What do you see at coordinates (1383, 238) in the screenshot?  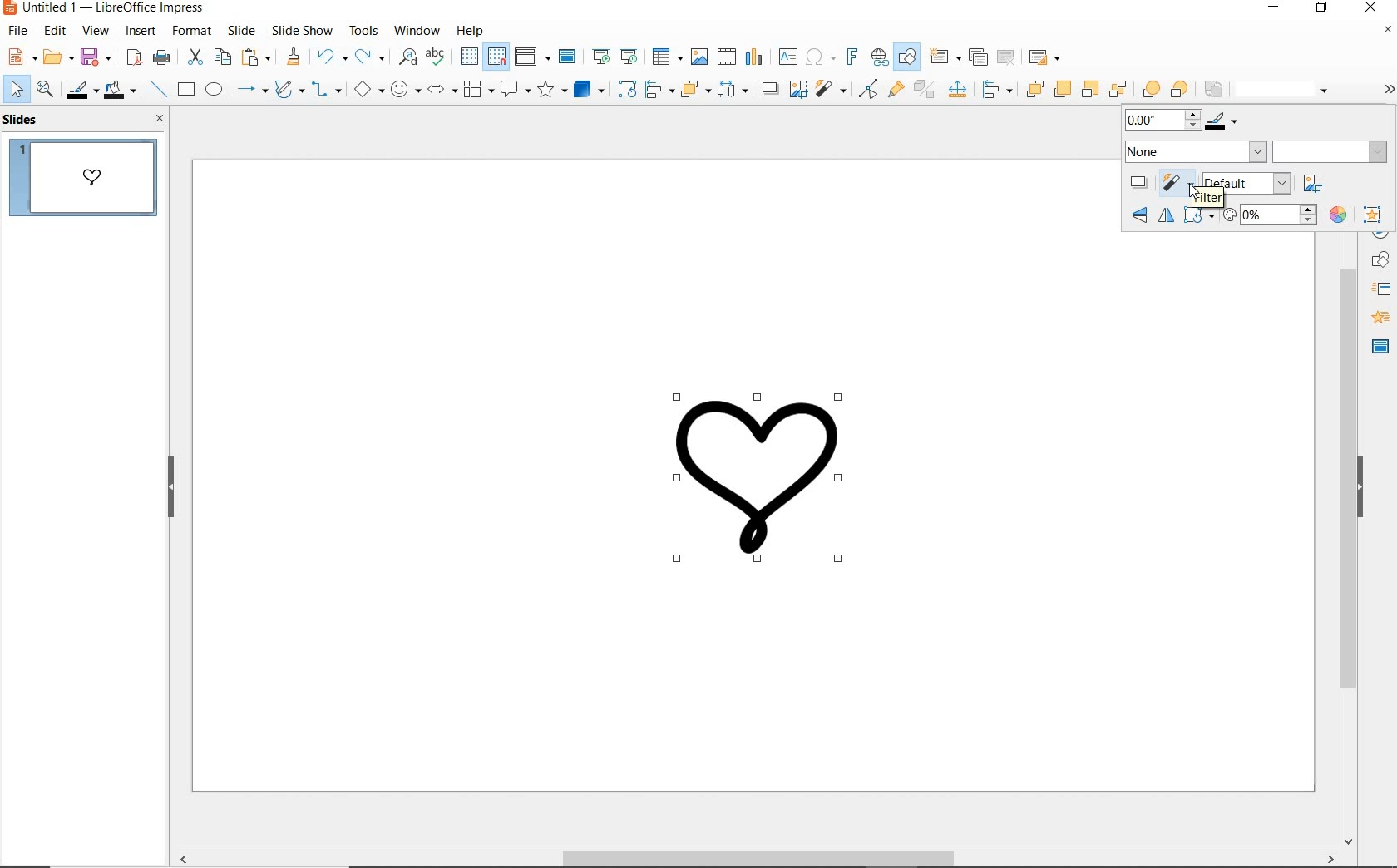 I see `NAVIGATOR` at bounding box center [1383, 238].